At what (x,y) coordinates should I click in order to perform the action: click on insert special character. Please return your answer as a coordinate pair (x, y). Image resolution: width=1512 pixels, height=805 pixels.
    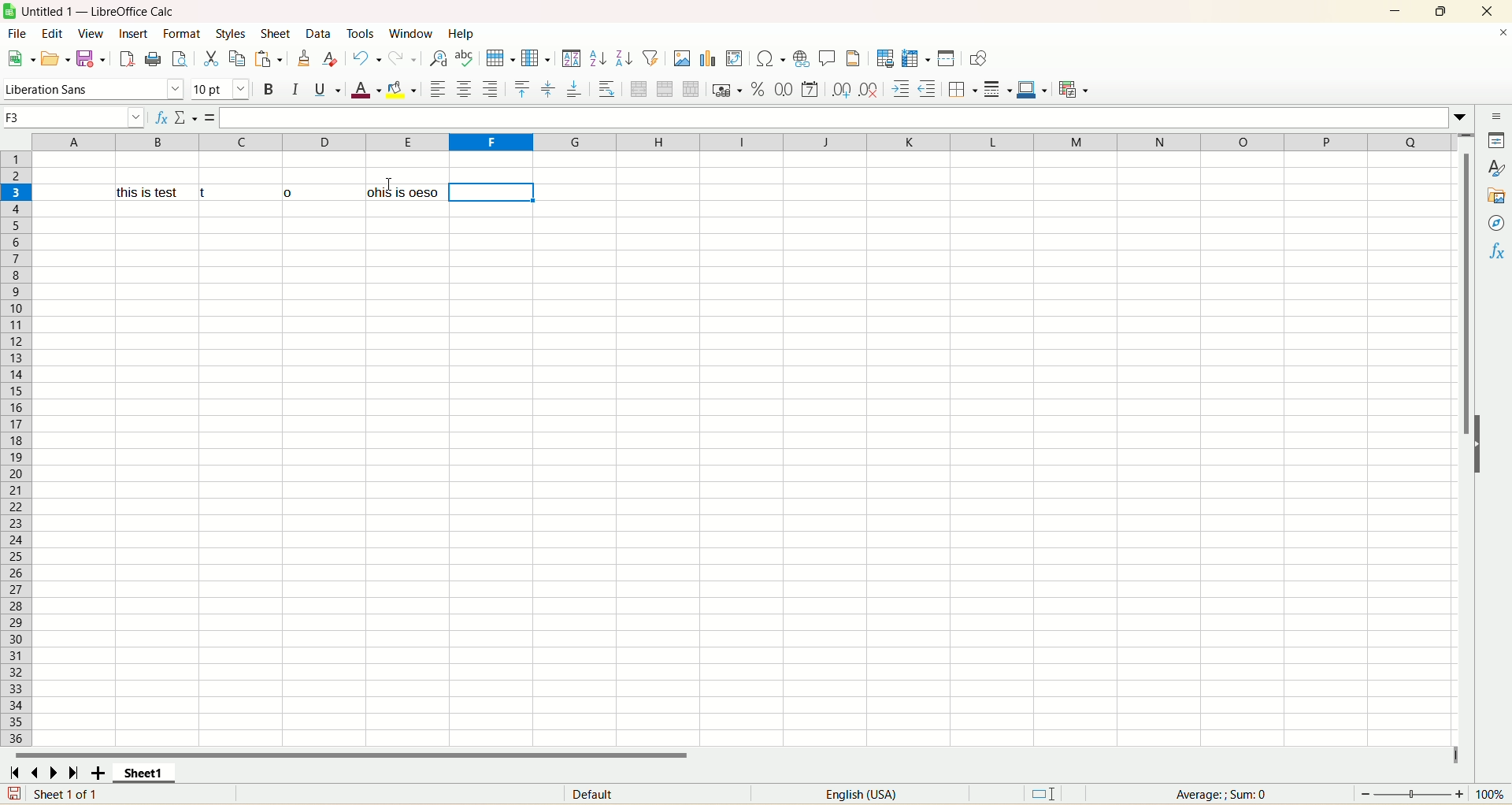
    Looking at the image, I should click on (772, 59).